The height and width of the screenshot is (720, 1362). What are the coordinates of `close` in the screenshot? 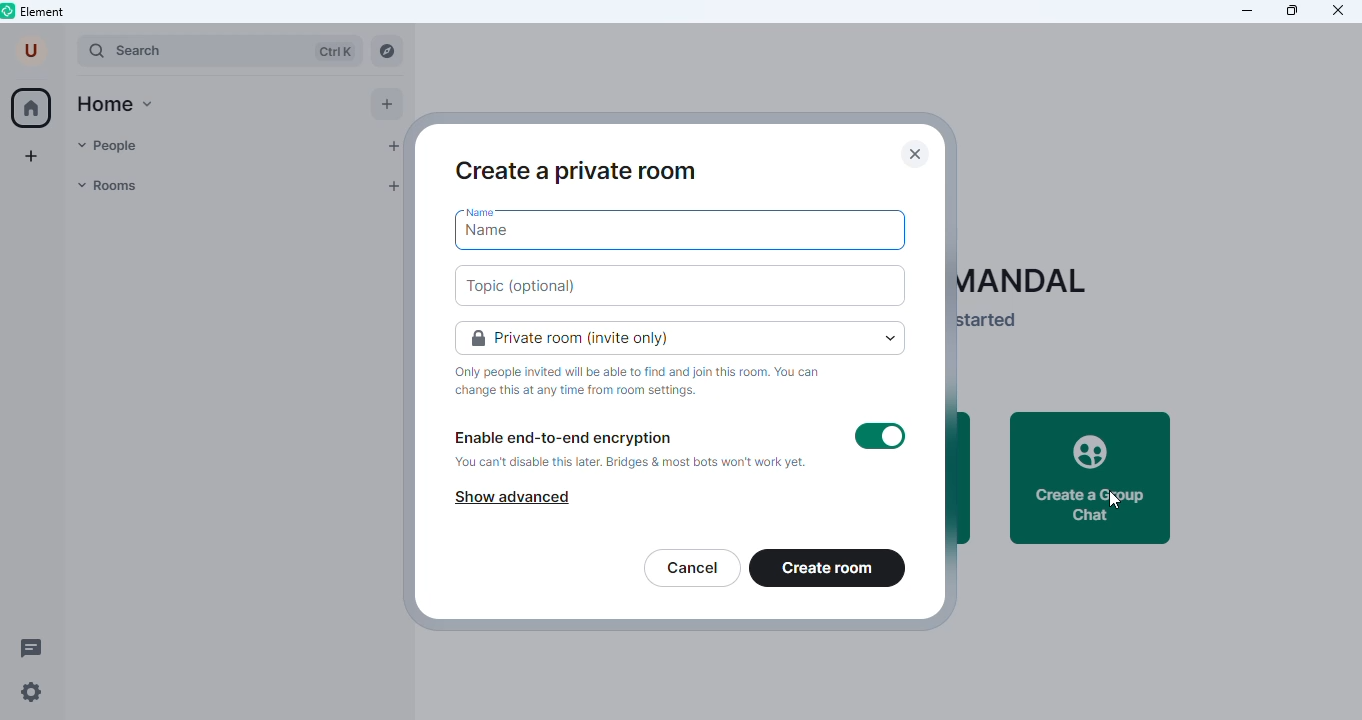 It's located at (1340, 11).